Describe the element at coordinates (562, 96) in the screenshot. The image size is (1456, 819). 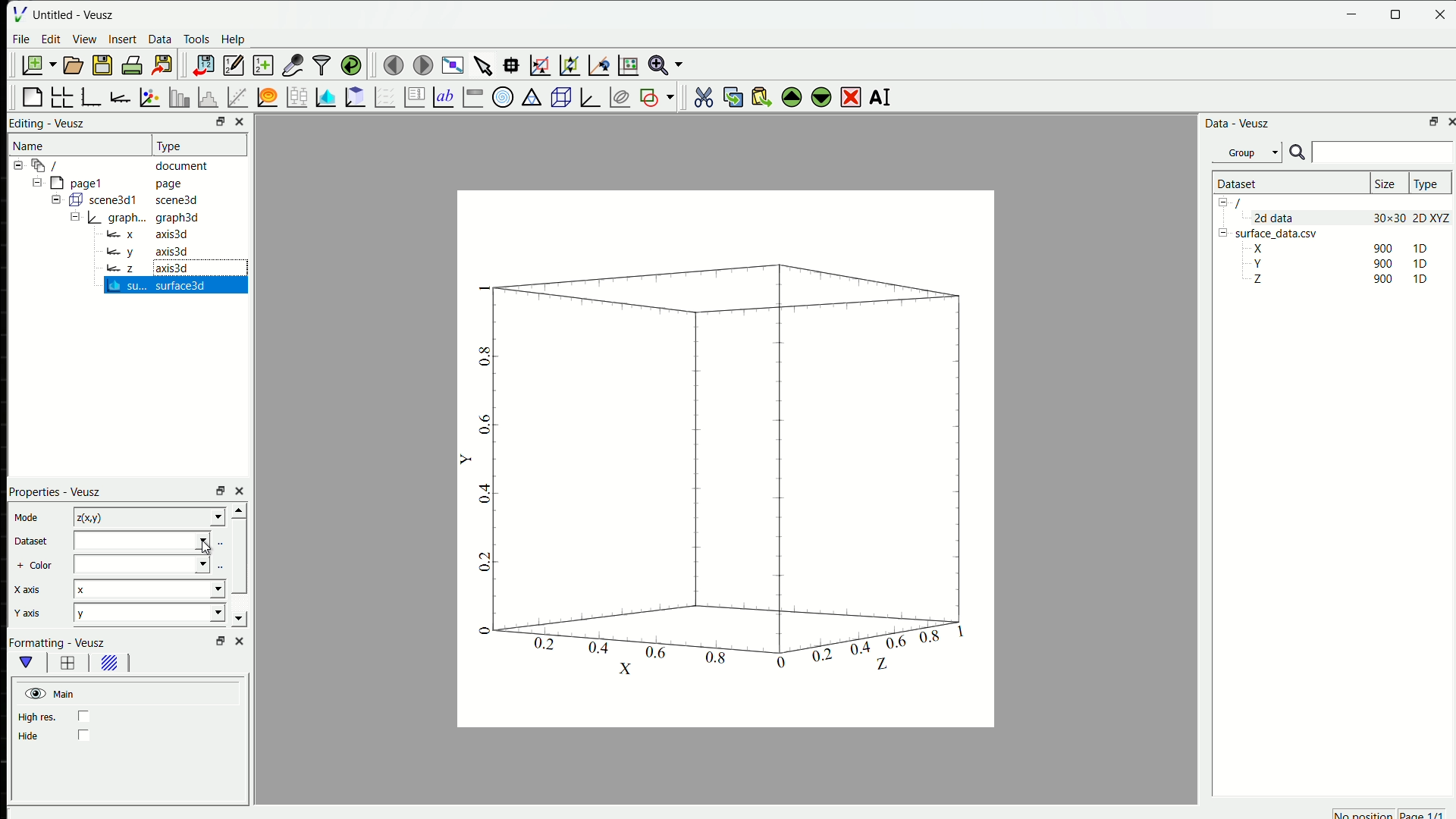
I see `3D scene` at that location.